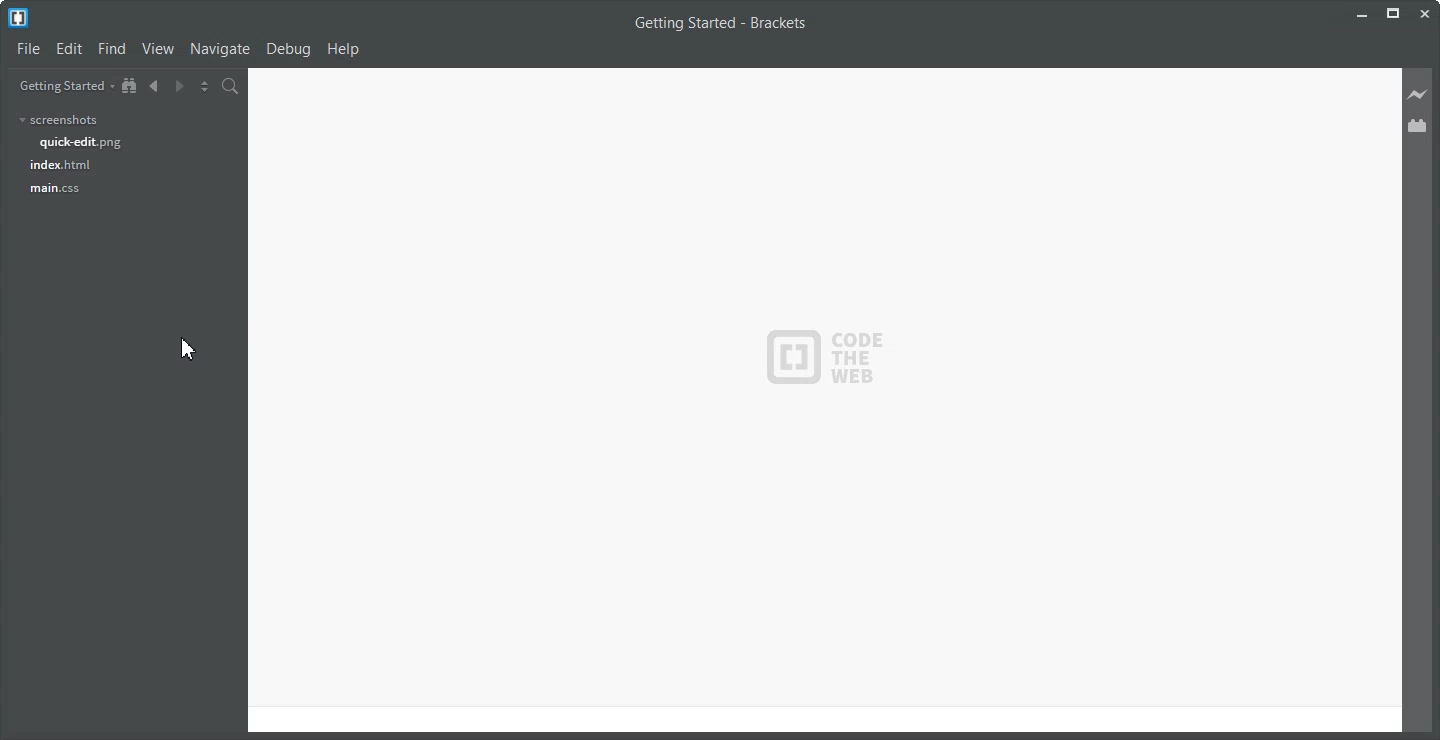  I want to click on Extension Manager, so click(1419, 125).